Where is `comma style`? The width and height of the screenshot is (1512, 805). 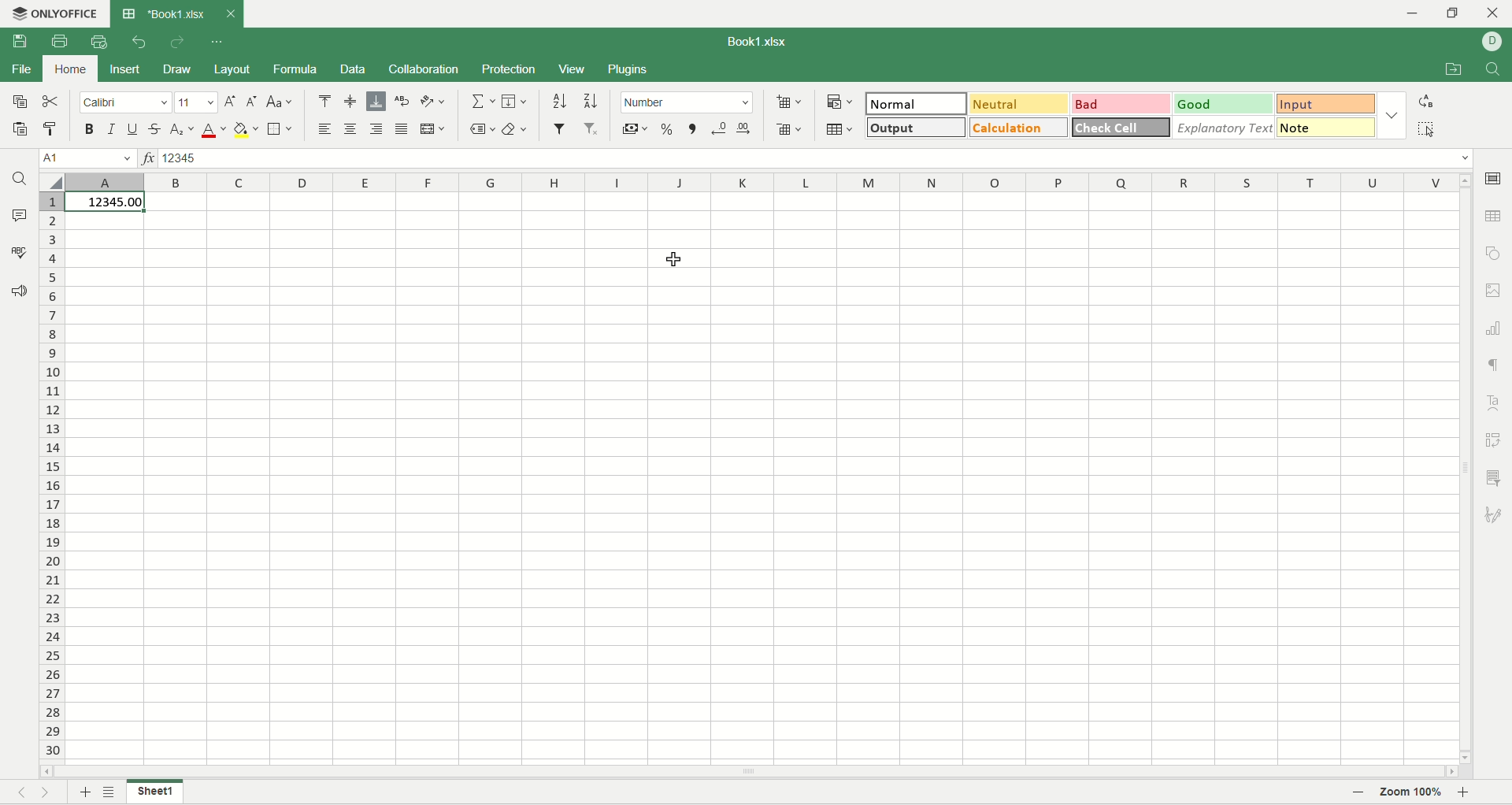 comma style is located at coordinates (693, 132).